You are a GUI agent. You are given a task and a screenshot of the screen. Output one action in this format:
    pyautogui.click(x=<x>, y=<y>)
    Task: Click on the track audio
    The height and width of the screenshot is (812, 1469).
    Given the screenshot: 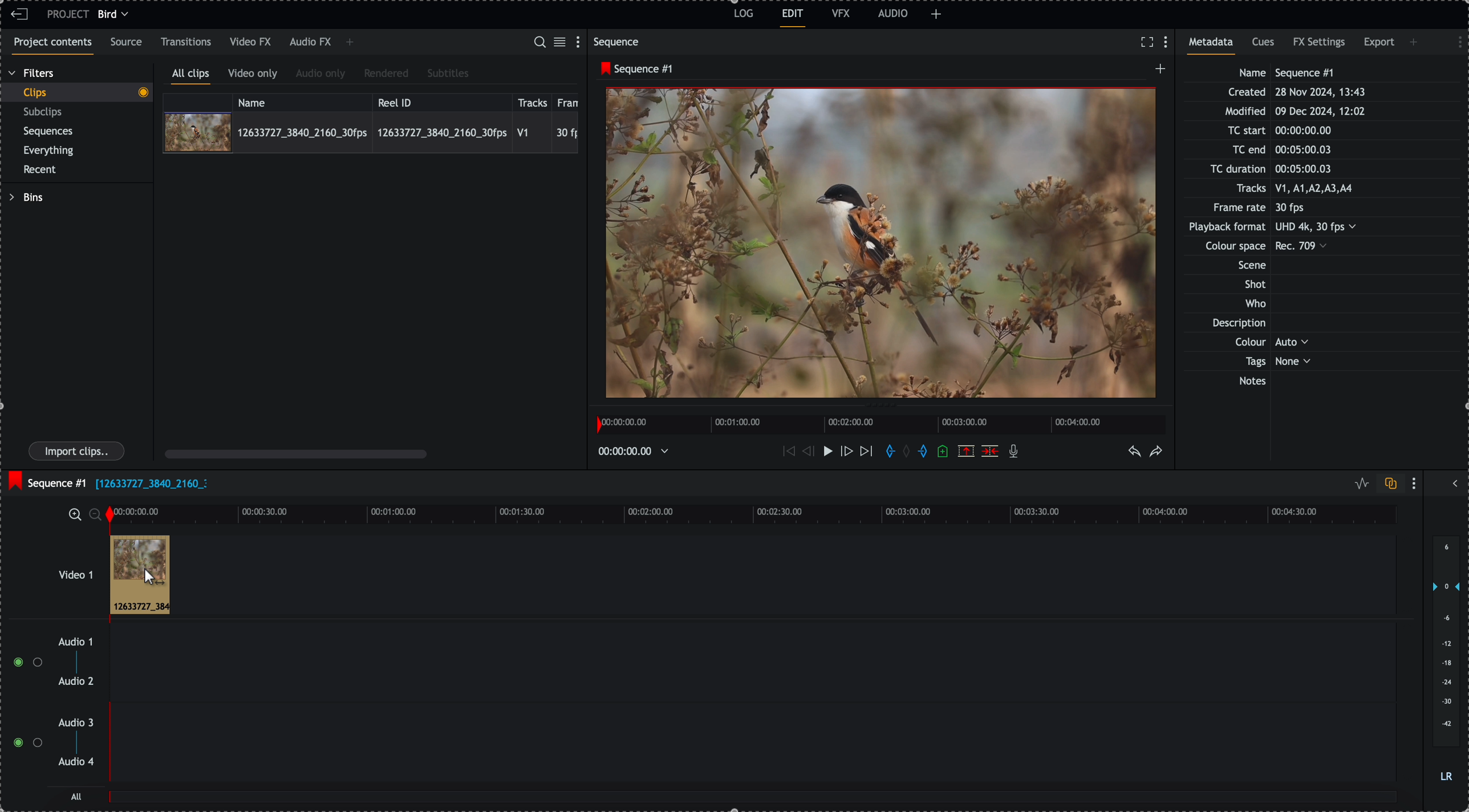 What is the action you would take?
    pyautogui.click(x=752, y=666)
    